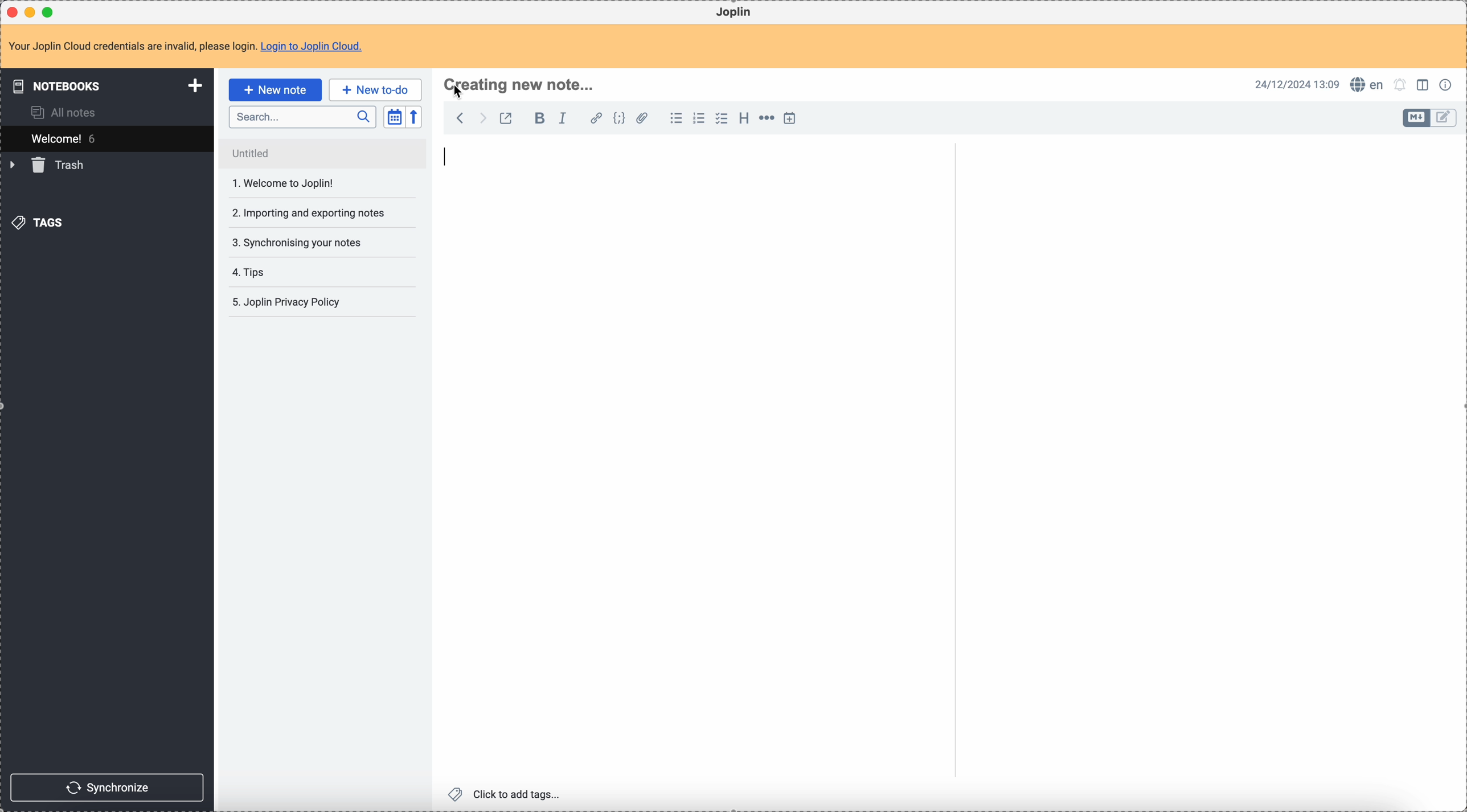 This screenshot has height=812, width=1467. What do you see at coordinates (562, 117) in the screenshot?
I see `italic` at bounding box center [562, 117].